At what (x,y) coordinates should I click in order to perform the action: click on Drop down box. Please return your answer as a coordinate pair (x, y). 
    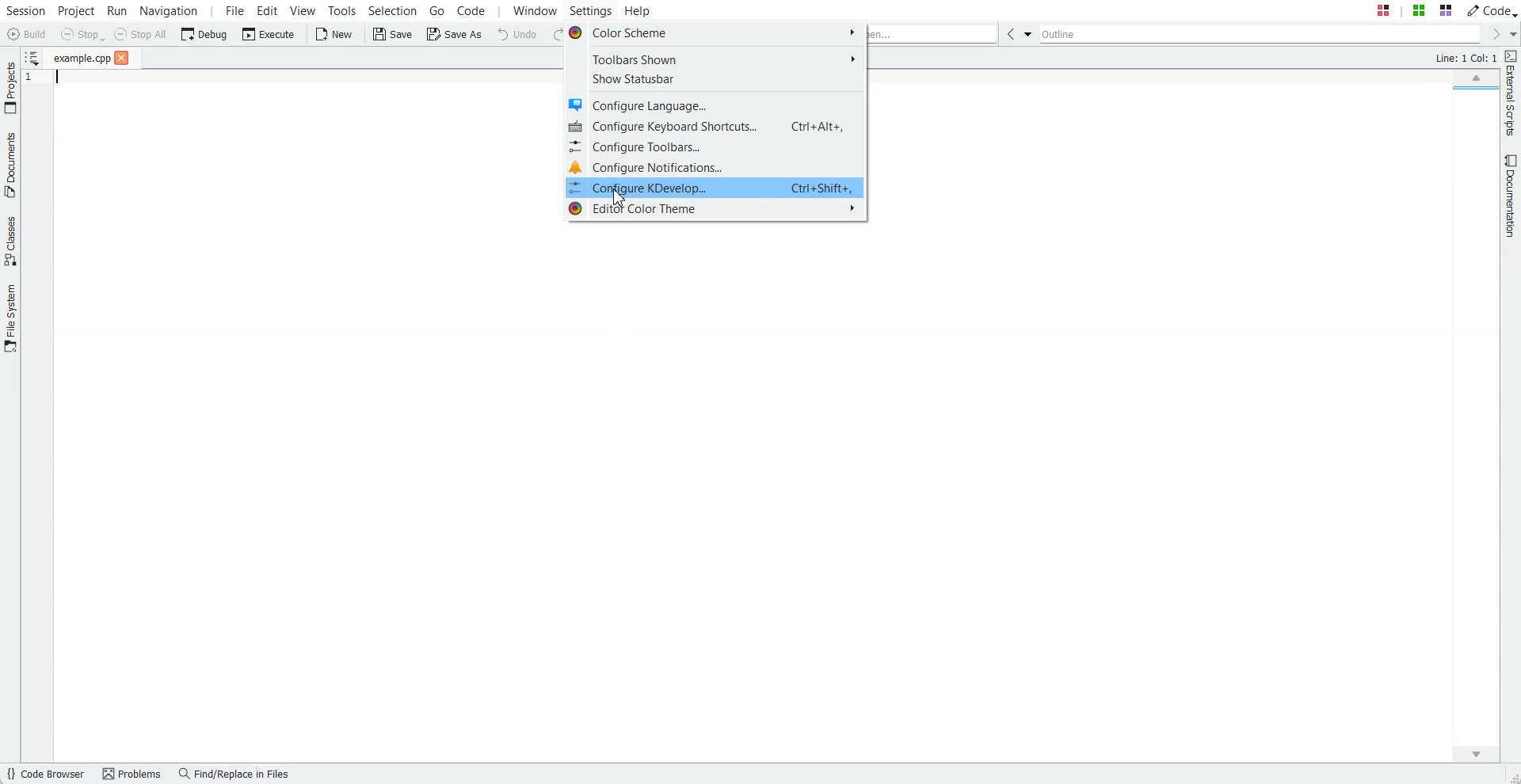
    Looking at the image, I should click on (1511, 34).